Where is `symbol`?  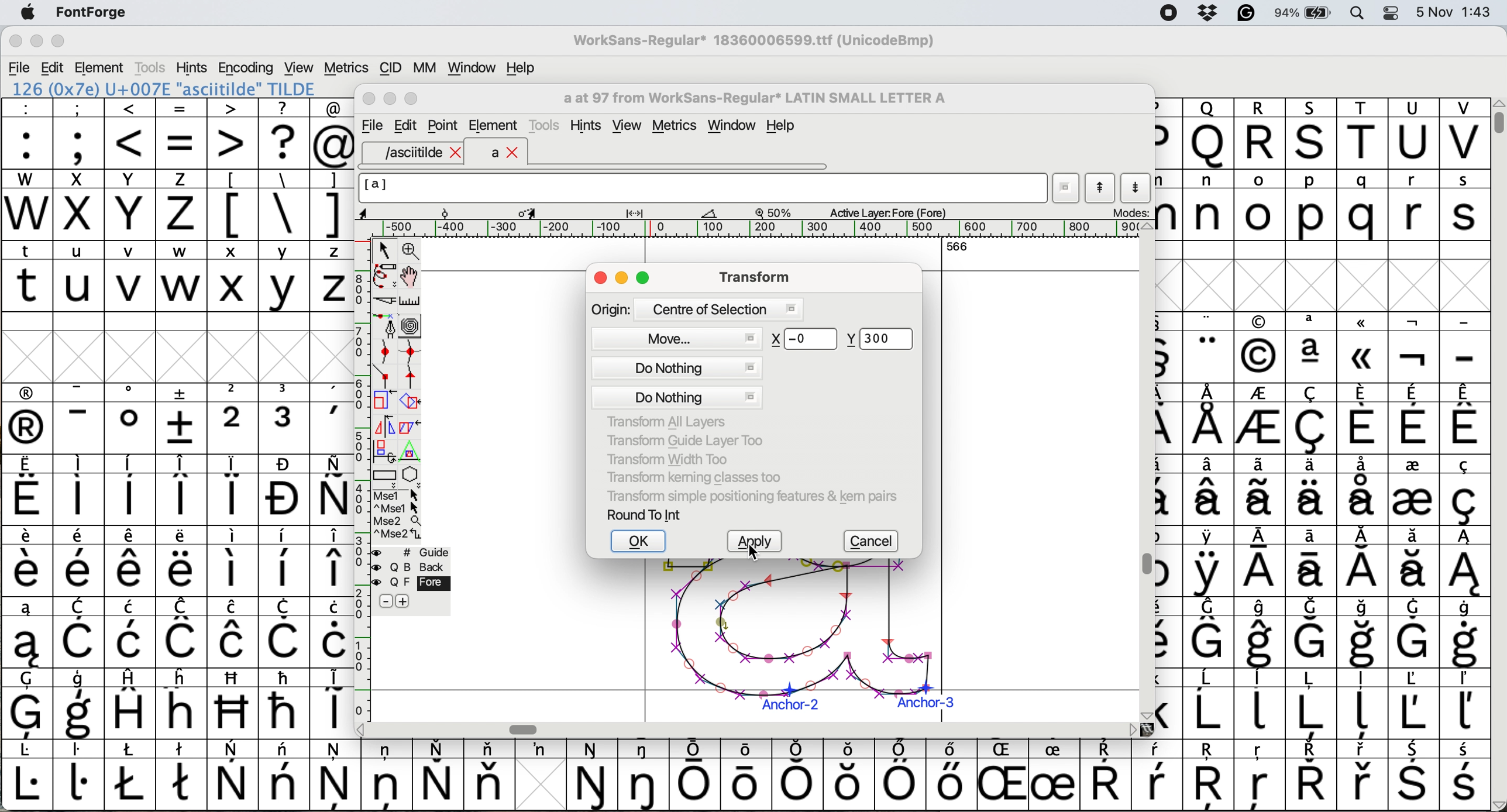 symbol is located at coordinates (332, 701).